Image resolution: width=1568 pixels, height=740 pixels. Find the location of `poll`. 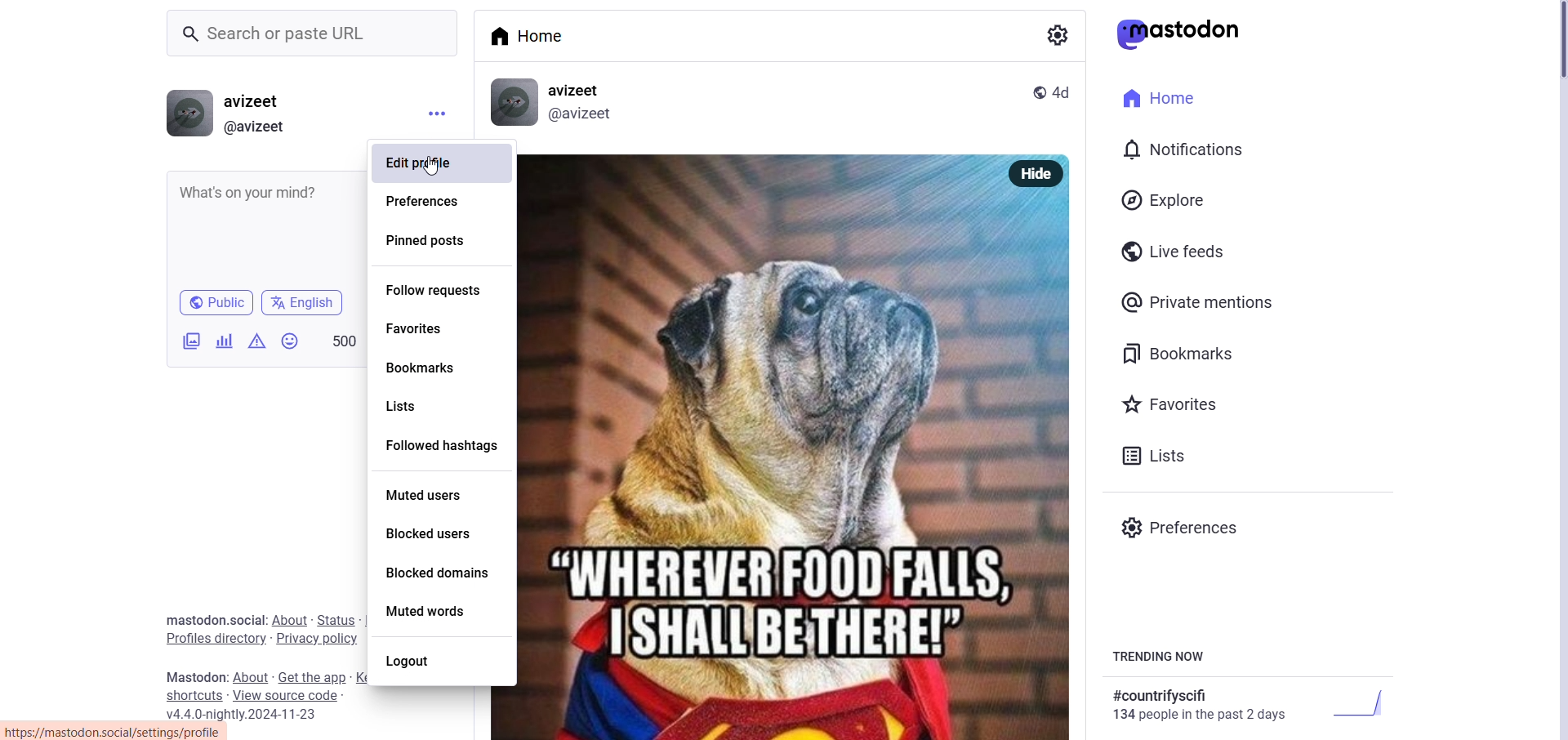

poll is located at coordinates (224, 340).